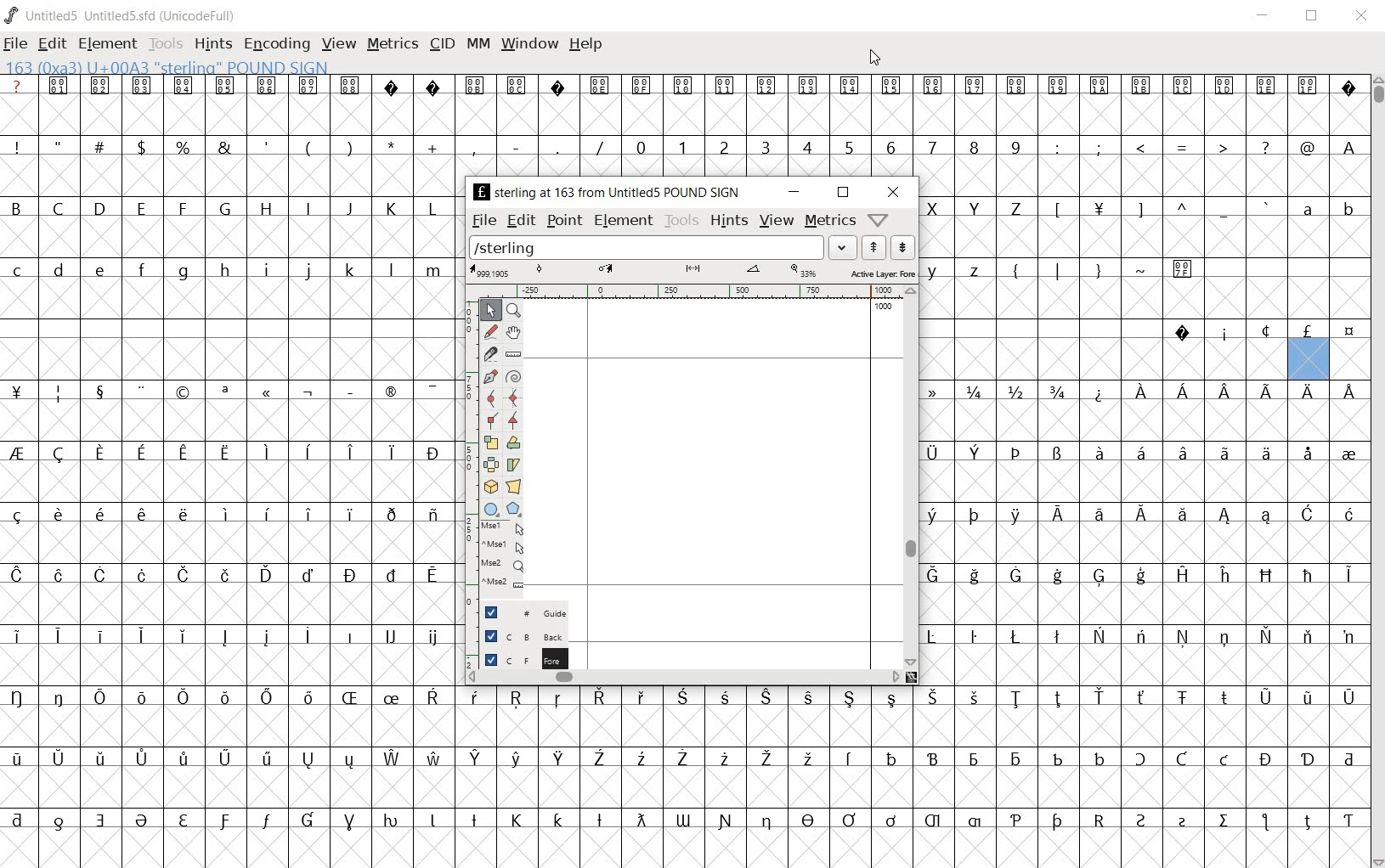  Describe the element at coordinates (1347, 635) in the screenshot. I see `Symbol` at that location.